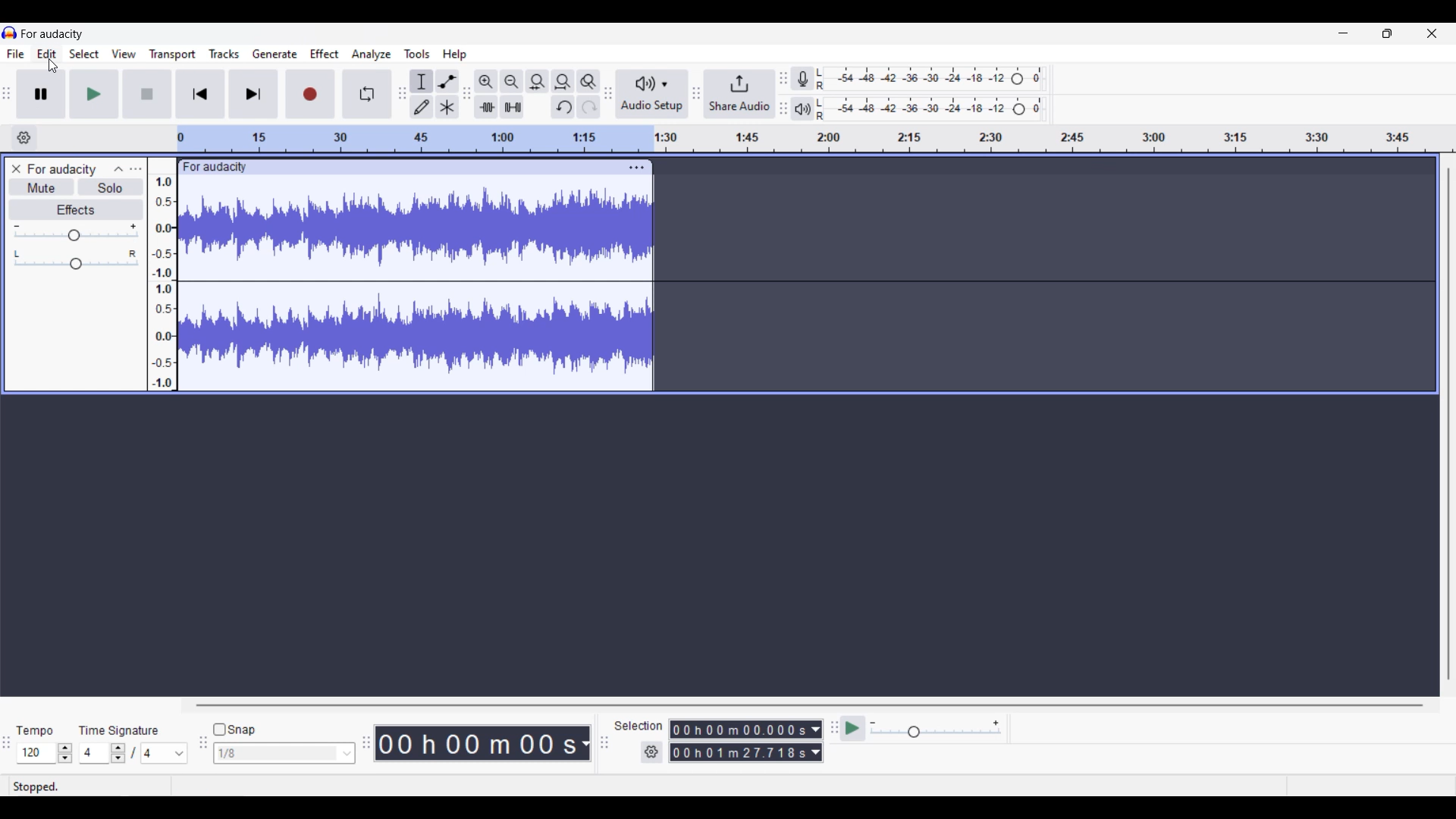 The image size is (1456, 819). Describe the element at coordinates (447, 107) in the screenshot. I see `Multi tool` at that location.